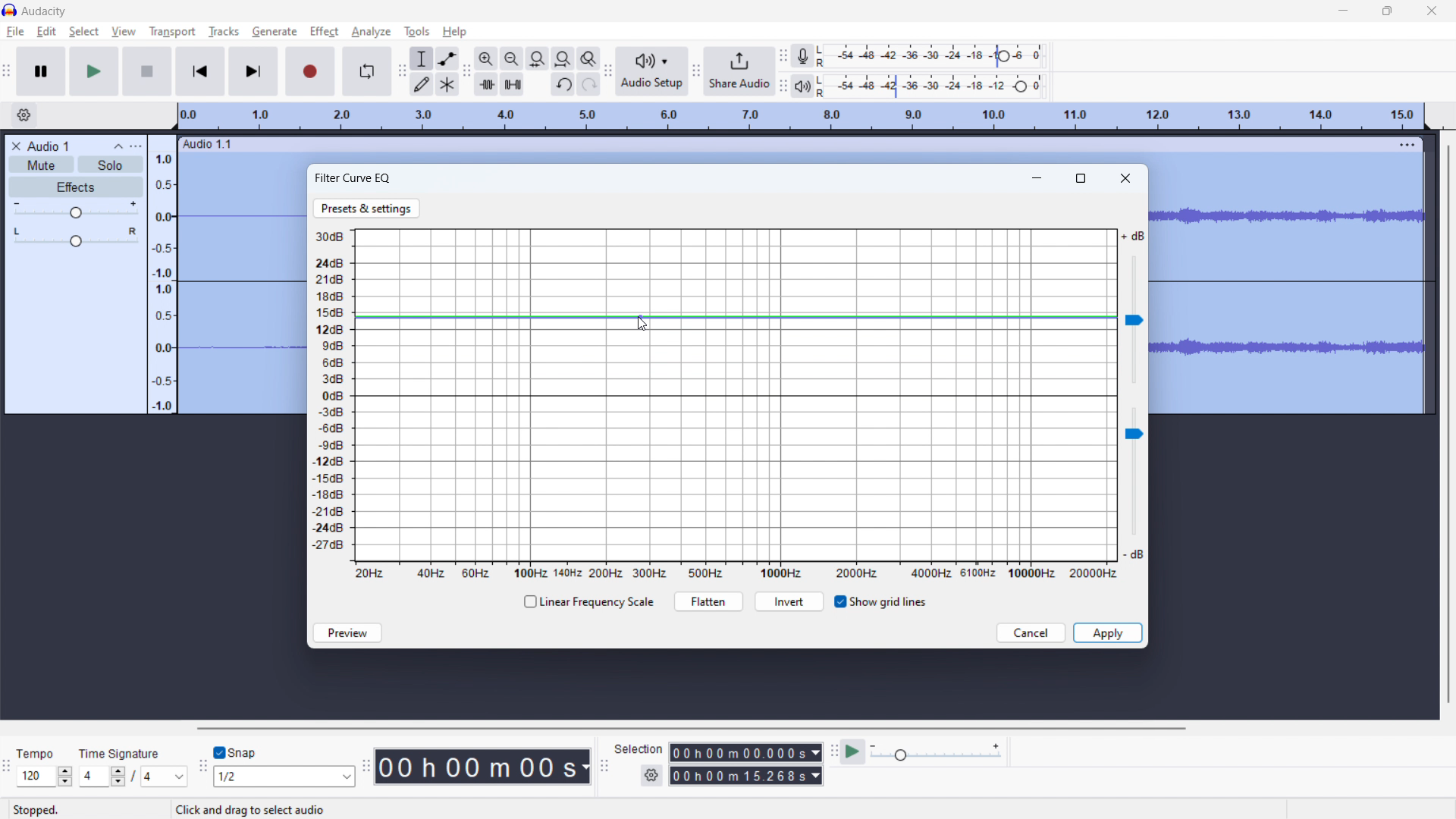  Describe the element at coordinates (148, 71) in the screenshot. I see `stop` at that location.